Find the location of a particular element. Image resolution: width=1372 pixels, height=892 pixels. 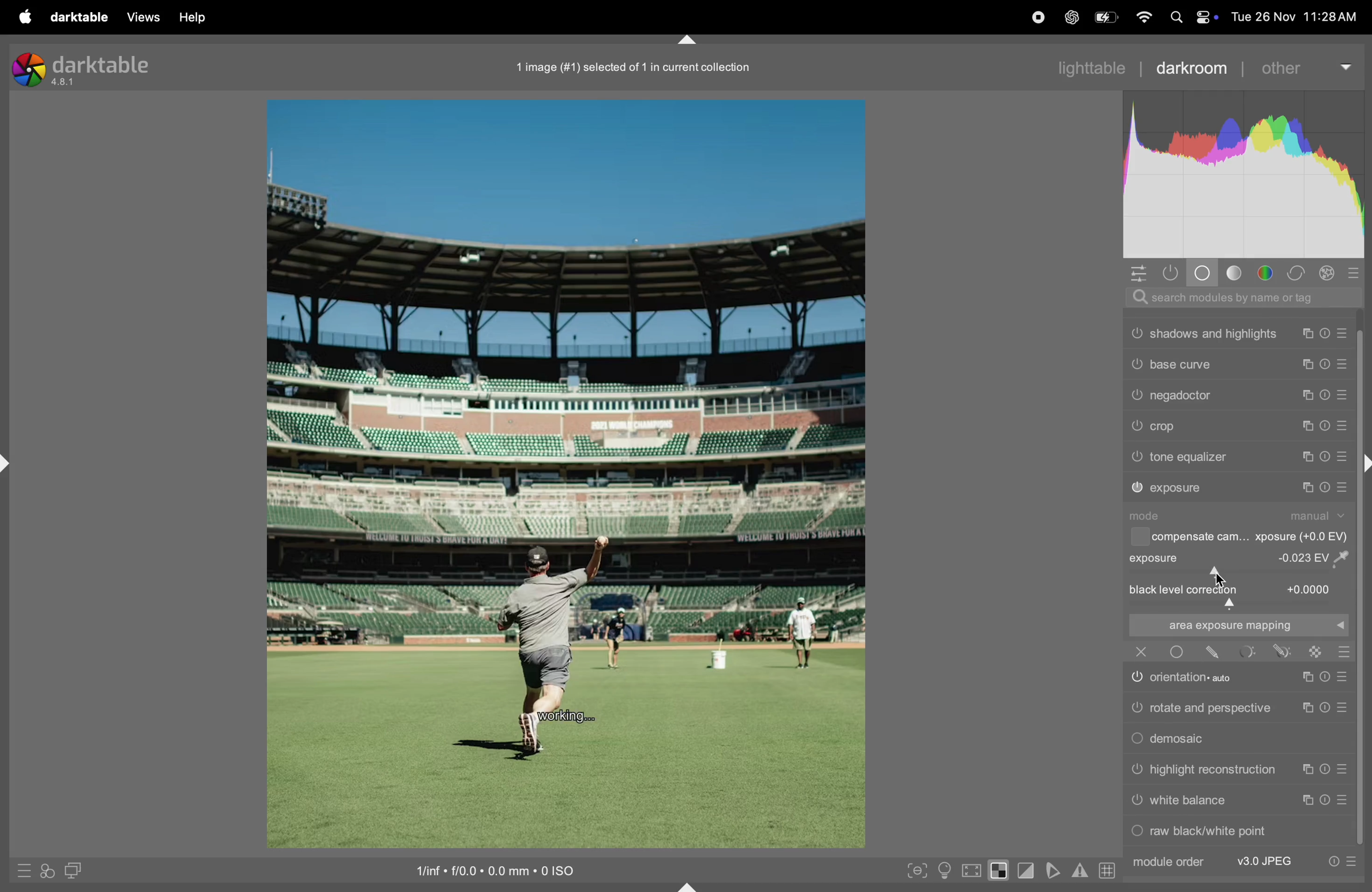

reset Preset is located at coordinates (1324, 708).